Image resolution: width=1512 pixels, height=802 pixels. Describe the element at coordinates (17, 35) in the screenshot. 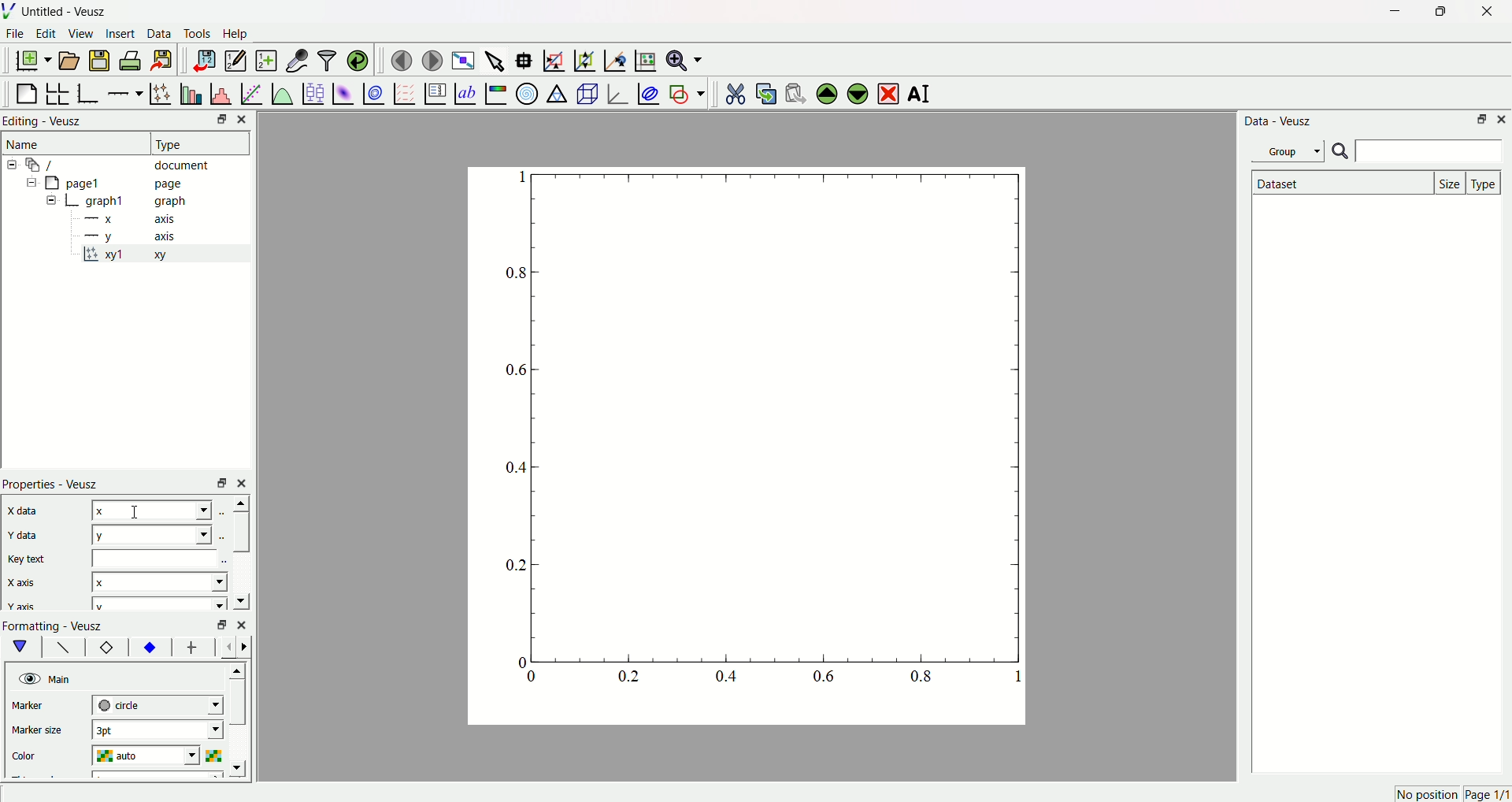

I see `File` at that location.